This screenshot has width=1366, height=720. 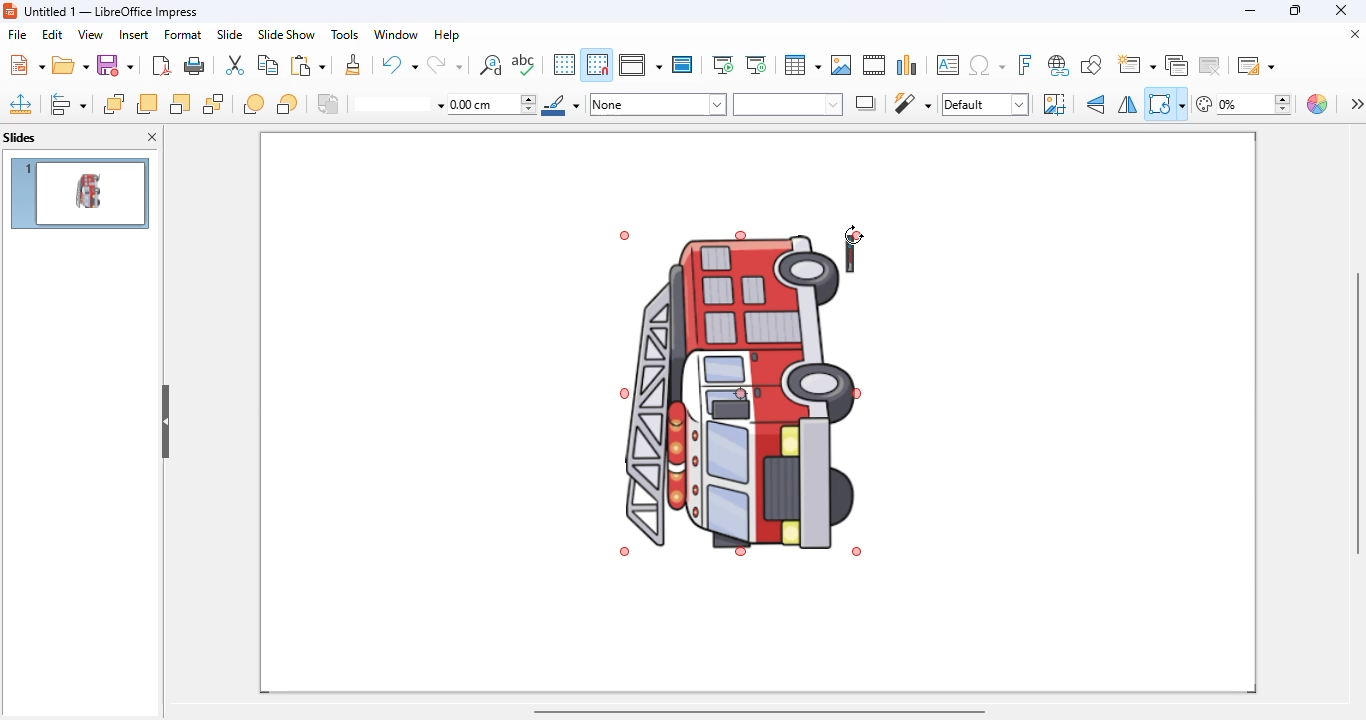 What do you see at coordinates (524, 65) in the screenshot?
I see `spelling` at bounding box center [524, 65].